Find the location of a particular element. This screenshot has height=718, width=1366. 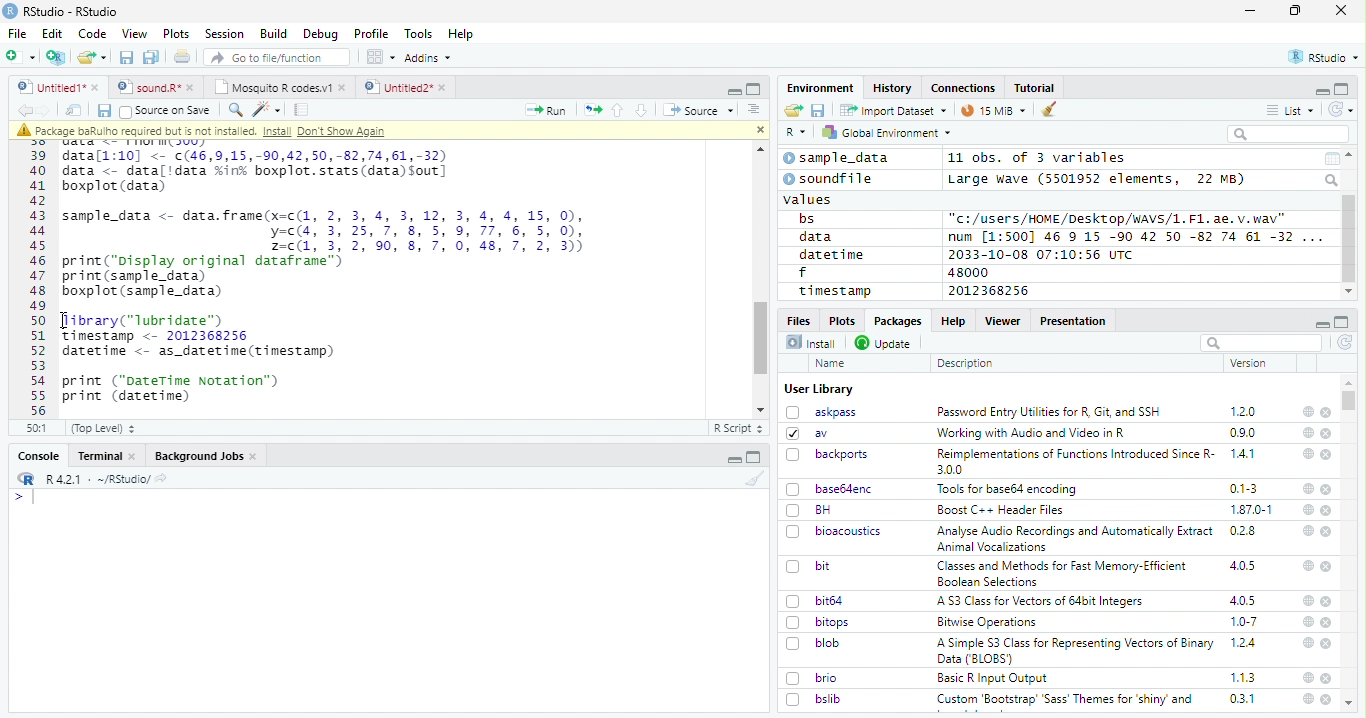

data[1:10] <- c(46,9,15,-90,42,50,-82,74,61,-32)

data <_ data[!data ink boxplot.stats(data)sout]

boxplot (data)

sample_data <- data.frame(x=c(1, 2, 3, 4, 3, 12, 3, 4, 4, 15, 0),
y-c(4, 3, 25,7, 8,5, 9,77, 6,5, 0),
2=c(1, 3, 2, 90, 8, 7, 0, 48, 7, 2, 3))

print("pisplay original dataframe™)

print (sample_data)

boxplot (sample_data)

Jibrary("lubridate™)

Timestamp <- 2012368256

datetime <- as_datetime(tinestanp)

print ("DateTime Notation")

print (datetime) is located at coordinates (333, 276).